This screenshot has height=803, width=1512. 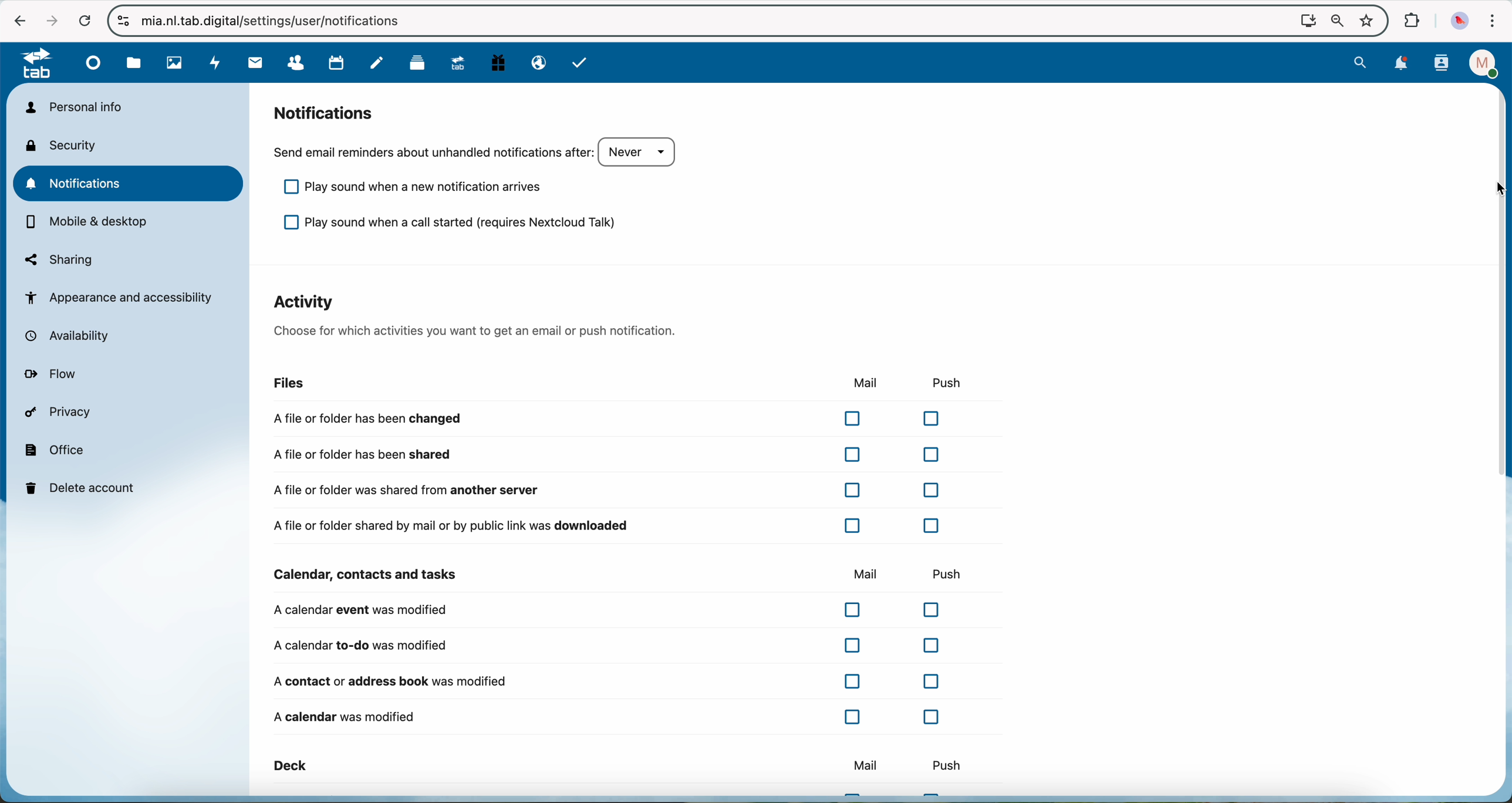 I want to click on appearance and accessibility, so click(x=121, y=297).